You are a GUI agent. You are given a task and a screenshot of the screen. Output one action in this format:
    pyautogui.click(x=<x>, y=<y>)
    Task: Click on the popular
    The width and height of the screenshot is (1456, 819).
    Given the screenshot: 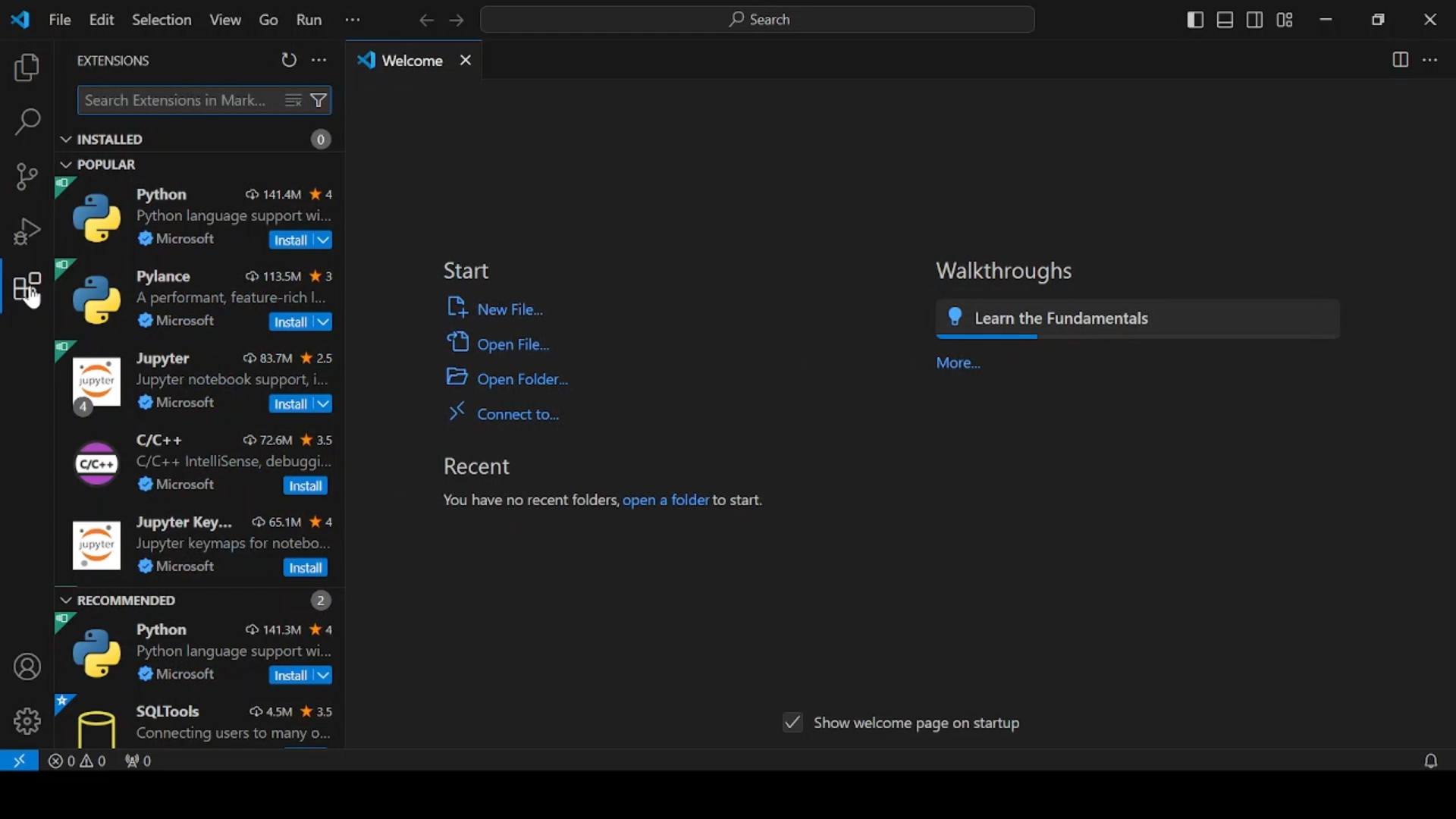 What is the action you would take?
    pyautogui.click(x=102, y=164)
    